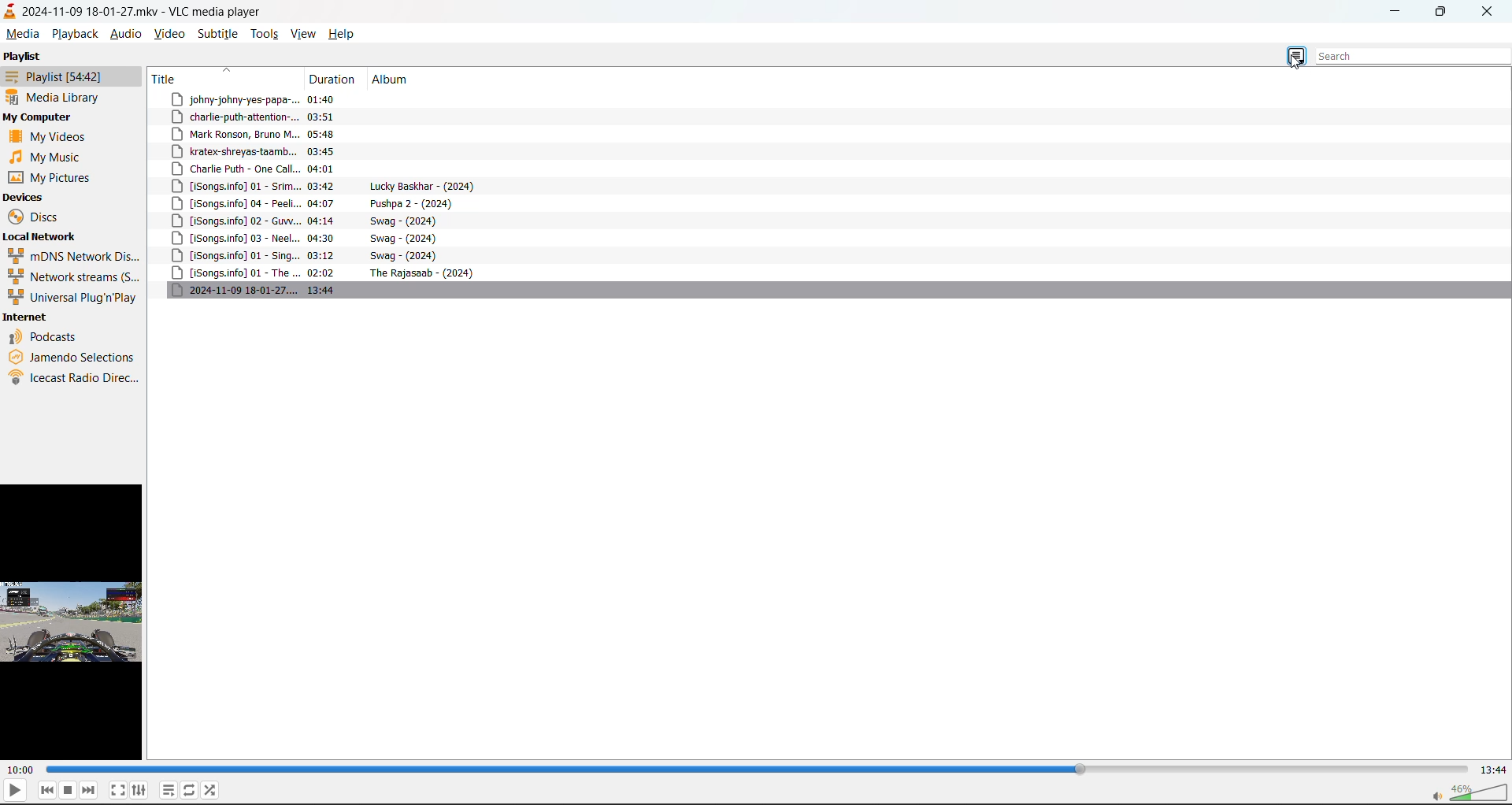 The width and height of the screenshot is (1512, 805). Describe the element at coordinates (47, 337) in the screenshot. I see `podcasts` at that location.